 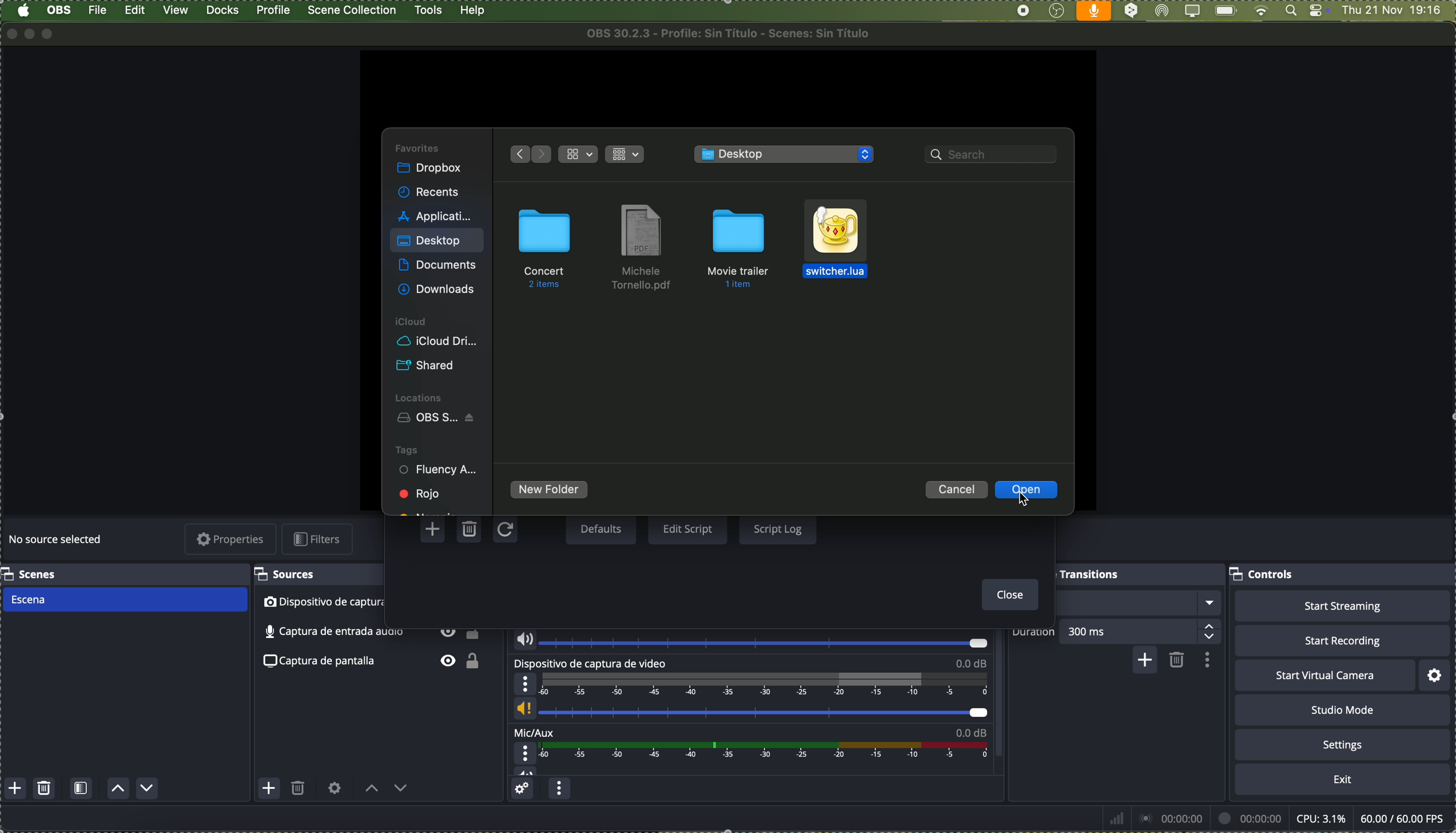 I want to click on click on add script, so click(x=435, y=529).